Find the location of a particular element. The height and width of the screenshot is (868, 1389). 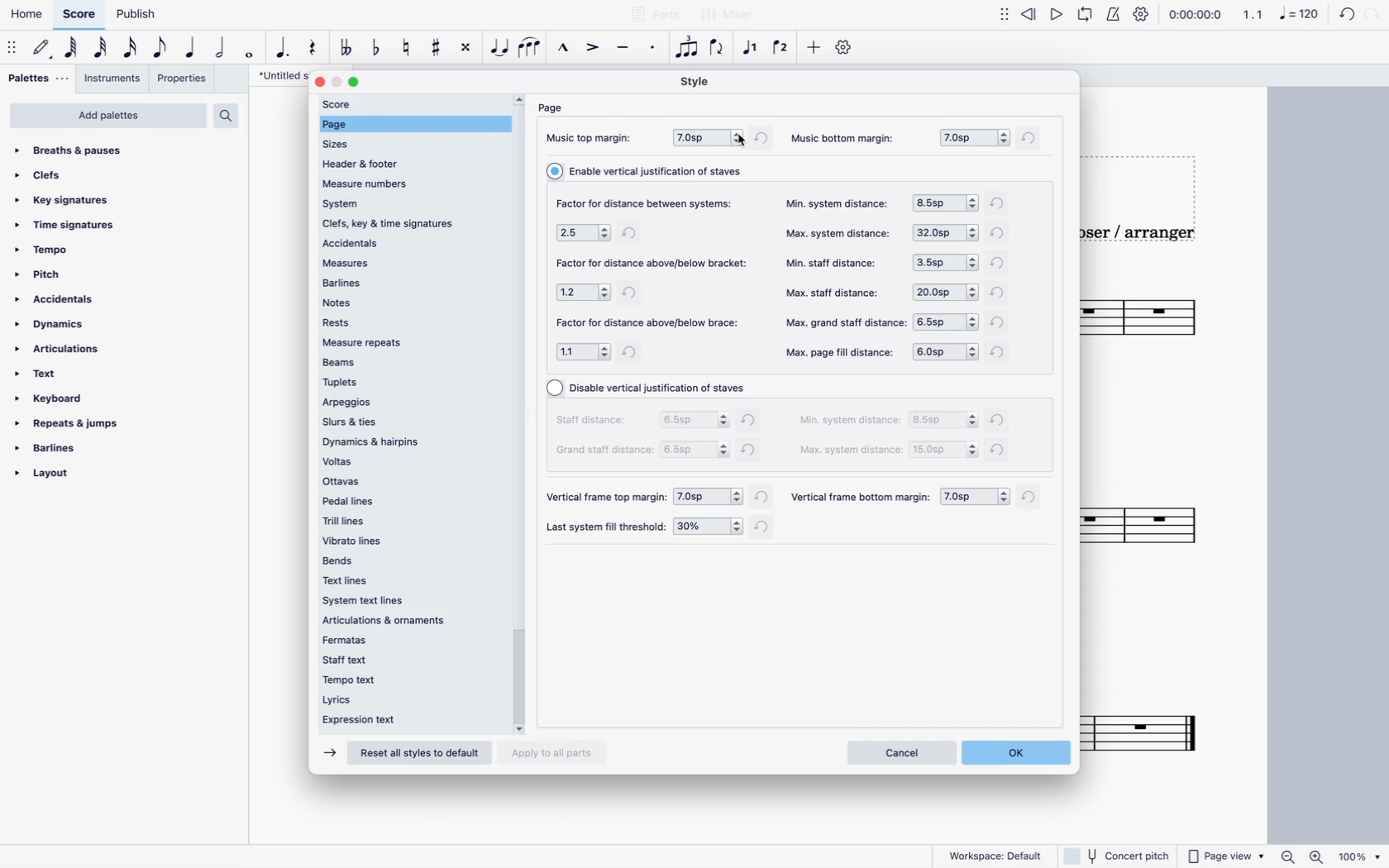

breaths & pauses is located at coordinates (79, 150).